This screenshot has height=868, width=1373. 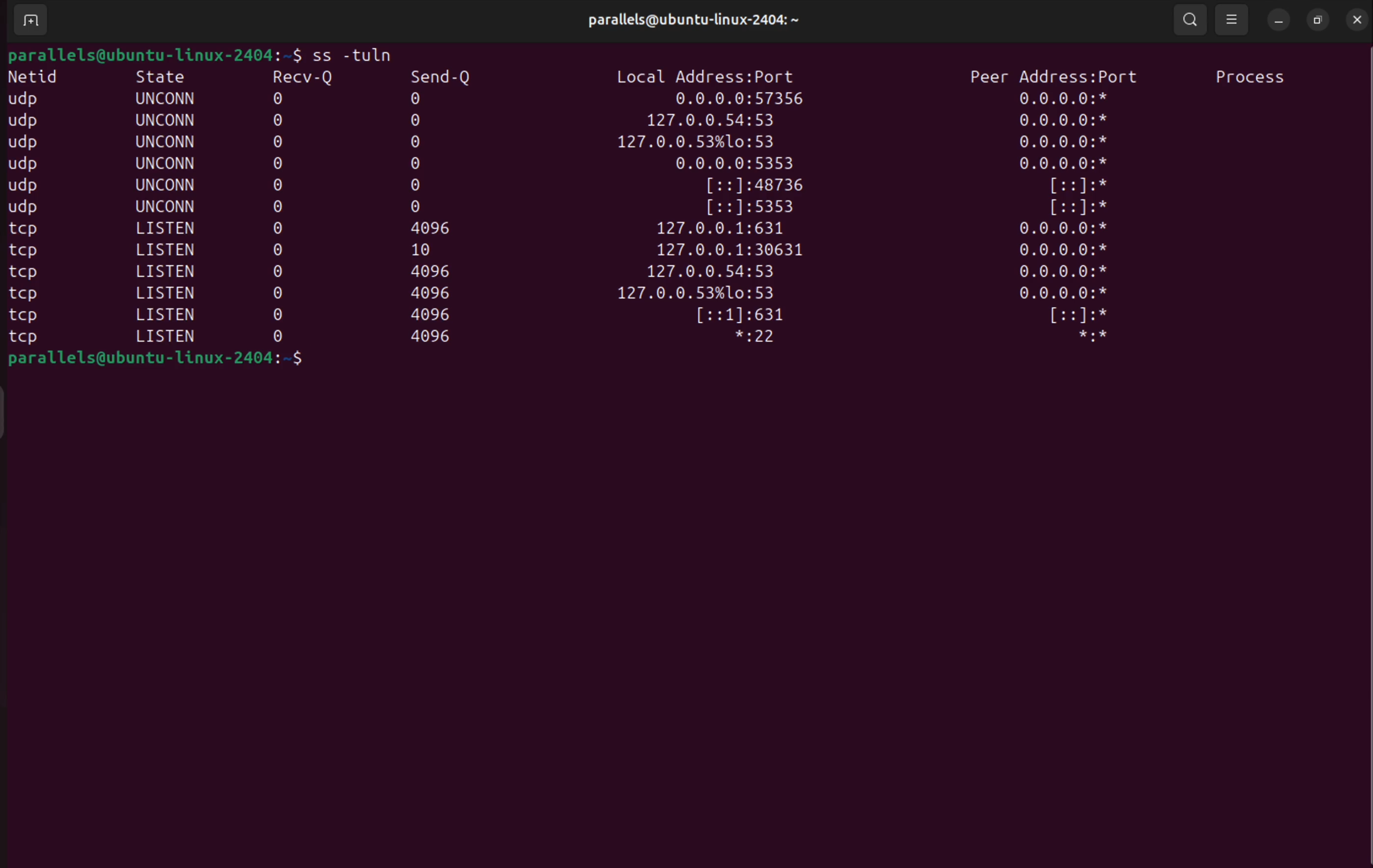 I want to click on tcp, so click(x=22, y=230).